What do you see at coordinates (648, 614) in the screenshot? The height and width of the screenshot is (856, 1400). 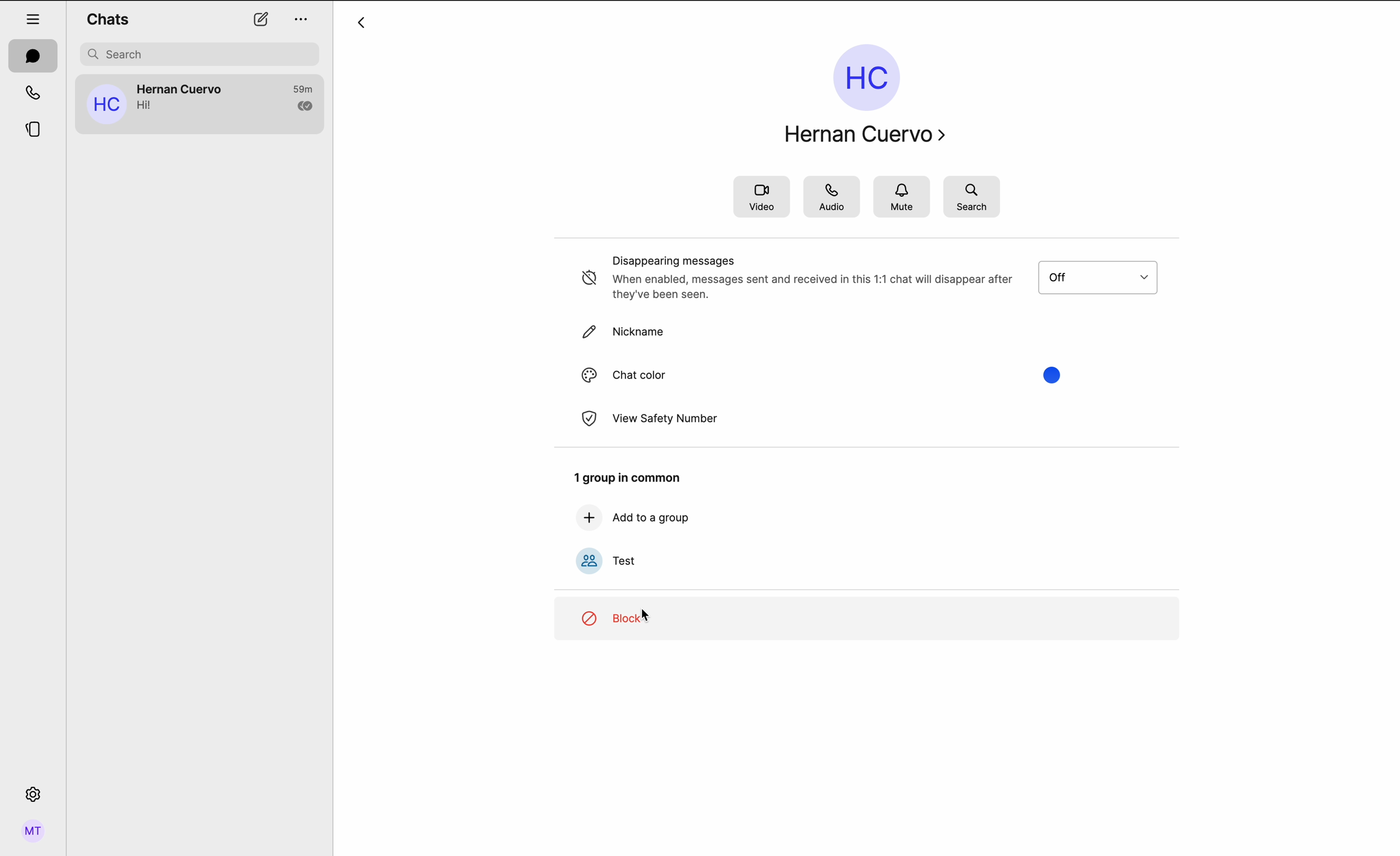 I see `cursor` at bounding box center [648, 614].